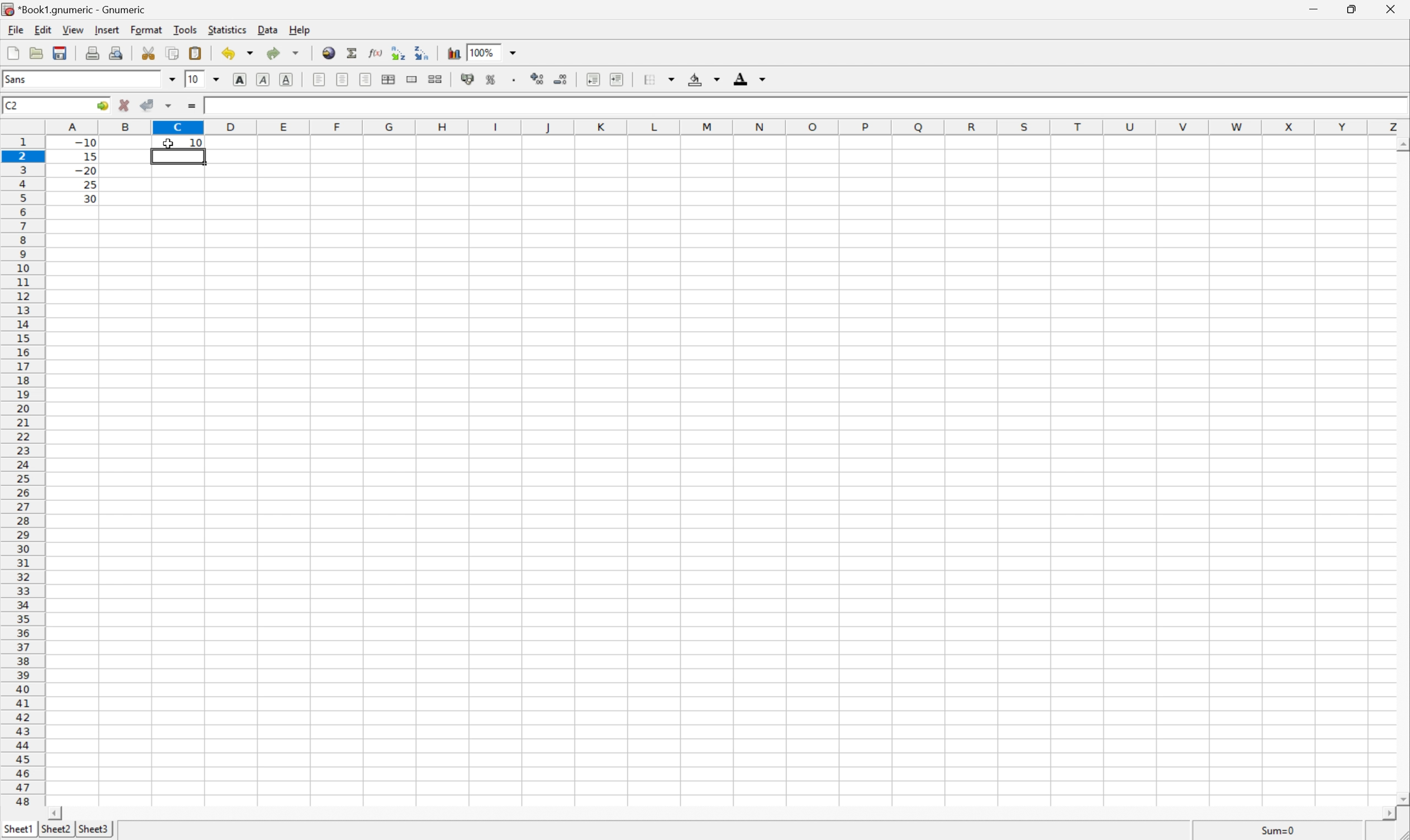 The height and width of the screenshot is (840, 1410). I want to click on 10, so click(193, 79).